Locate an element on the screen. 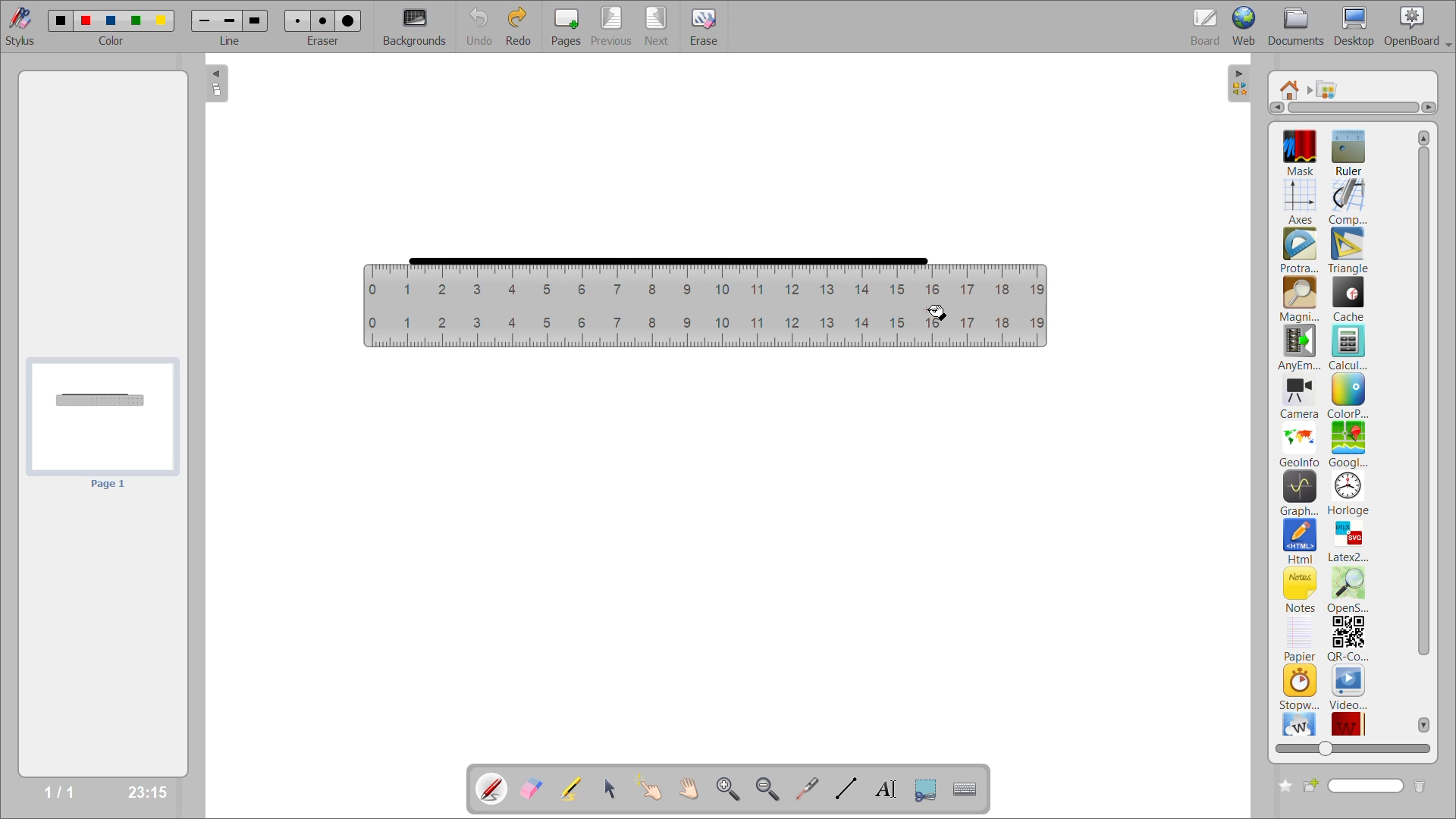 The height and width of the screenshot is (819, 1456). ruler is located at coordinates (705, 309).